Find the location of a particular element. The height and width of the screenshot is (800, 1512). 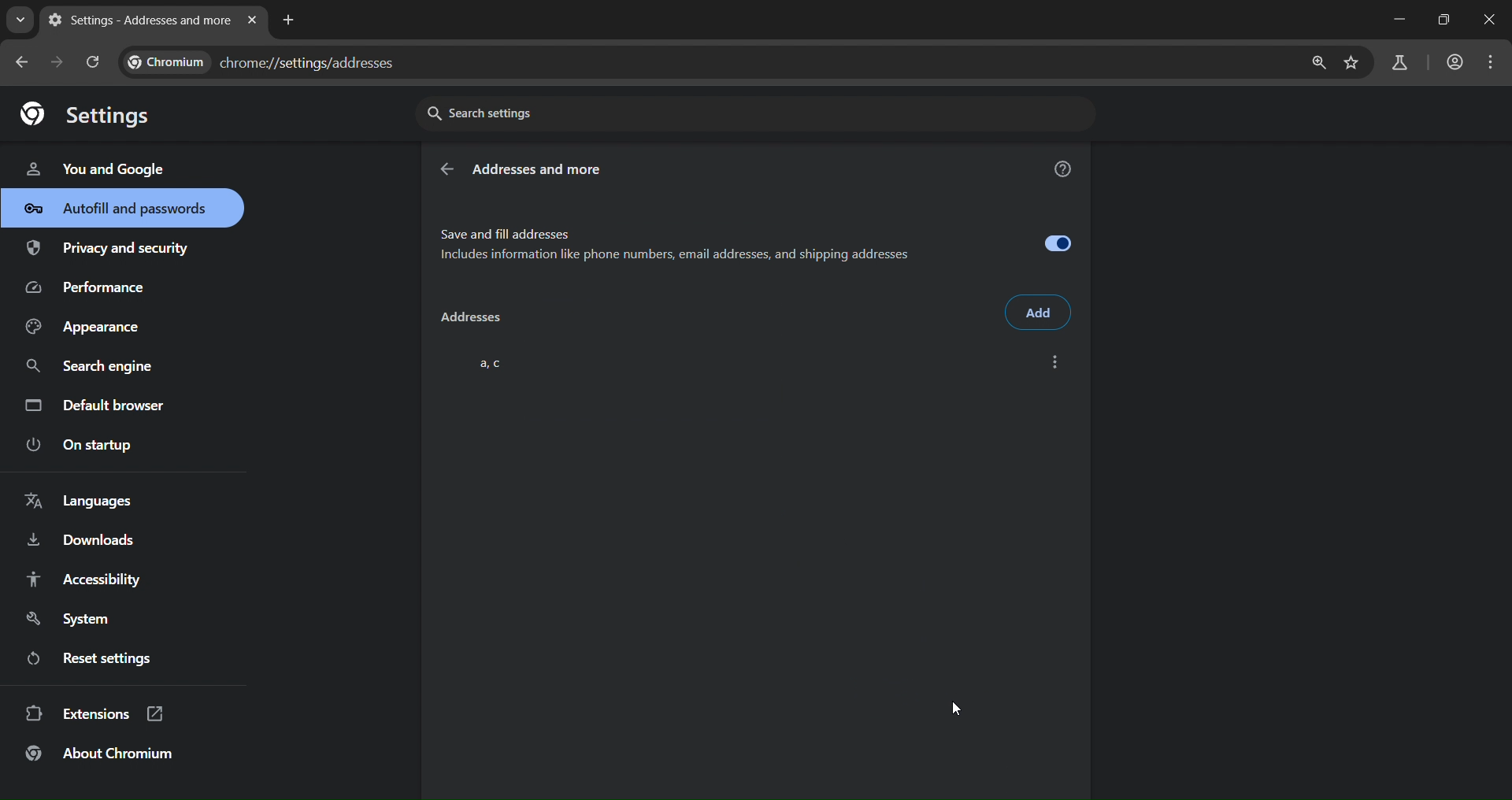

addressses is located at coordinates (469, 320).